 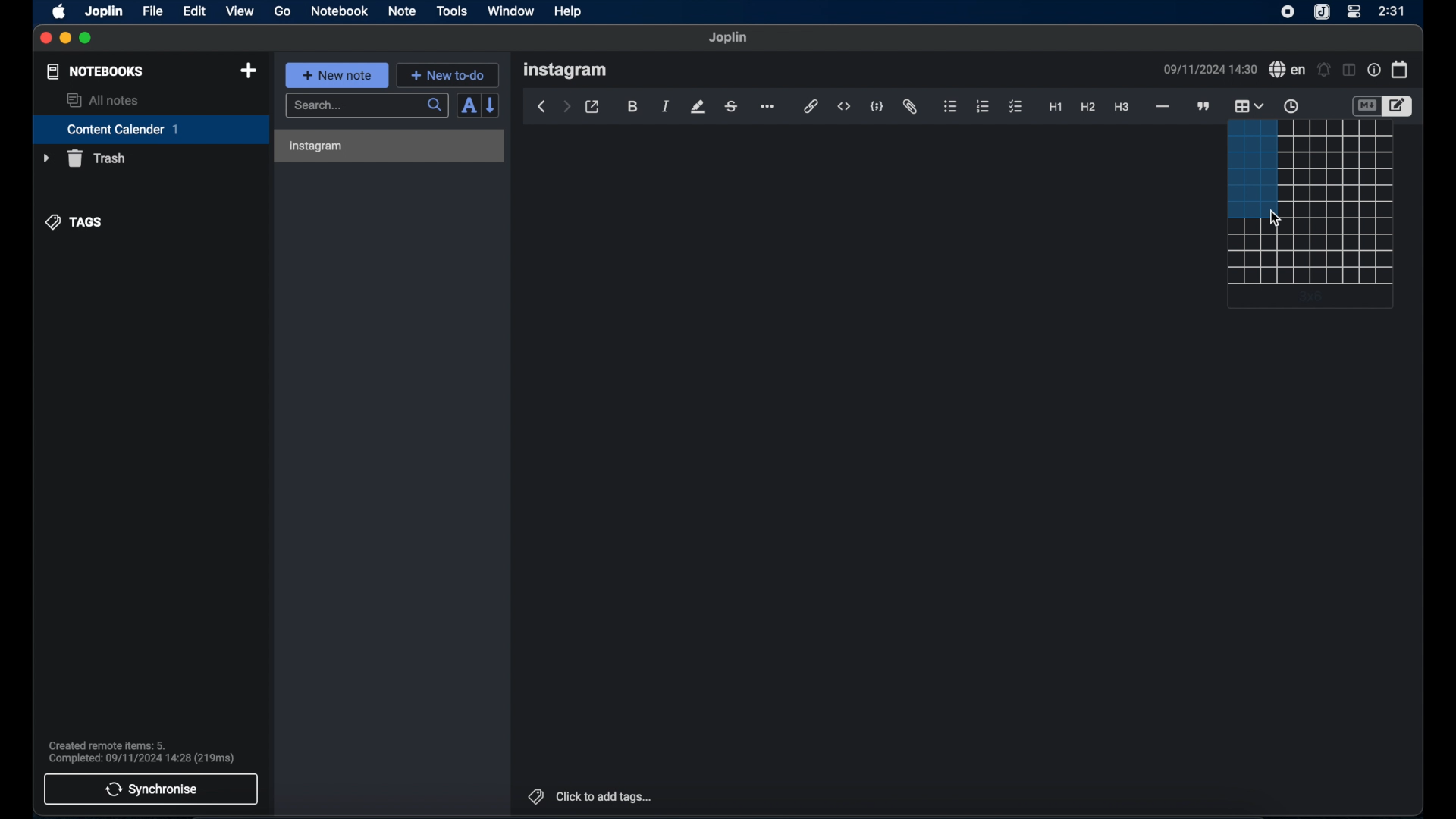 I want to click on joplin icon, so click(x=1321, y=12).